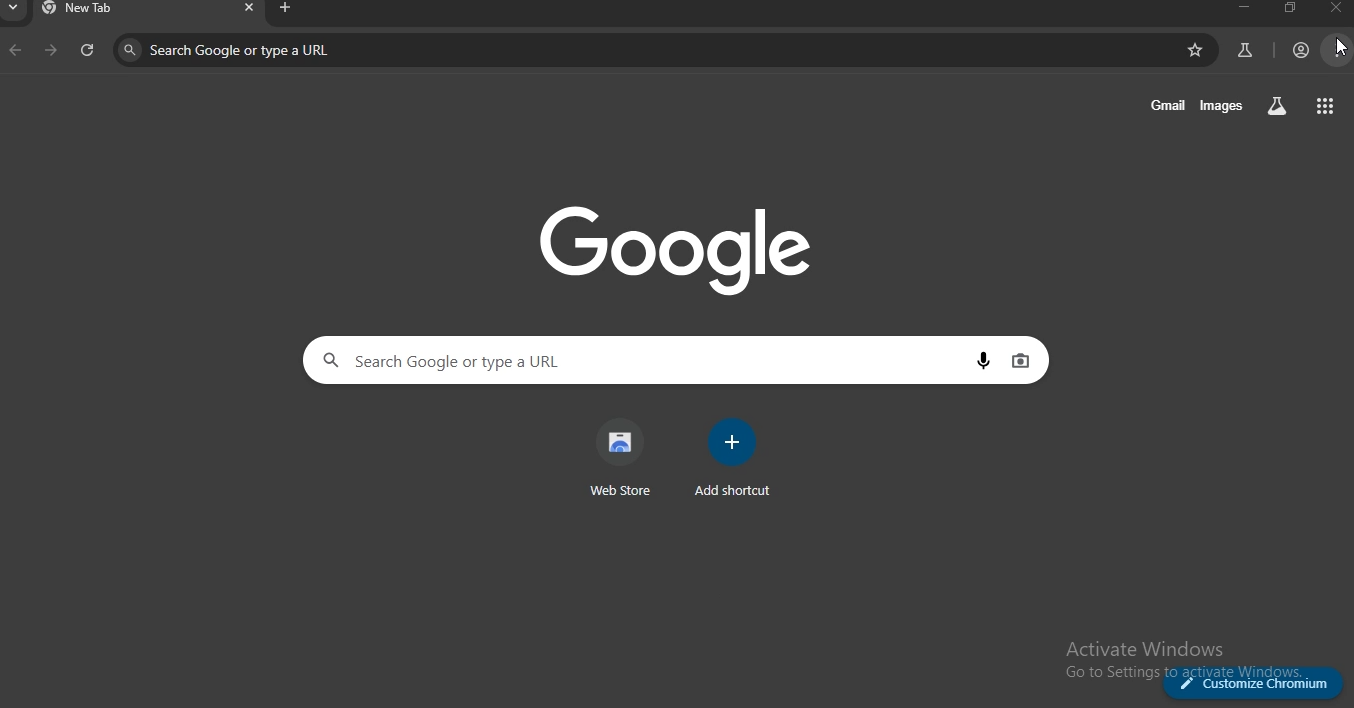 The image size is (1354, 708). I want to click on new tab, so click(103, 10).